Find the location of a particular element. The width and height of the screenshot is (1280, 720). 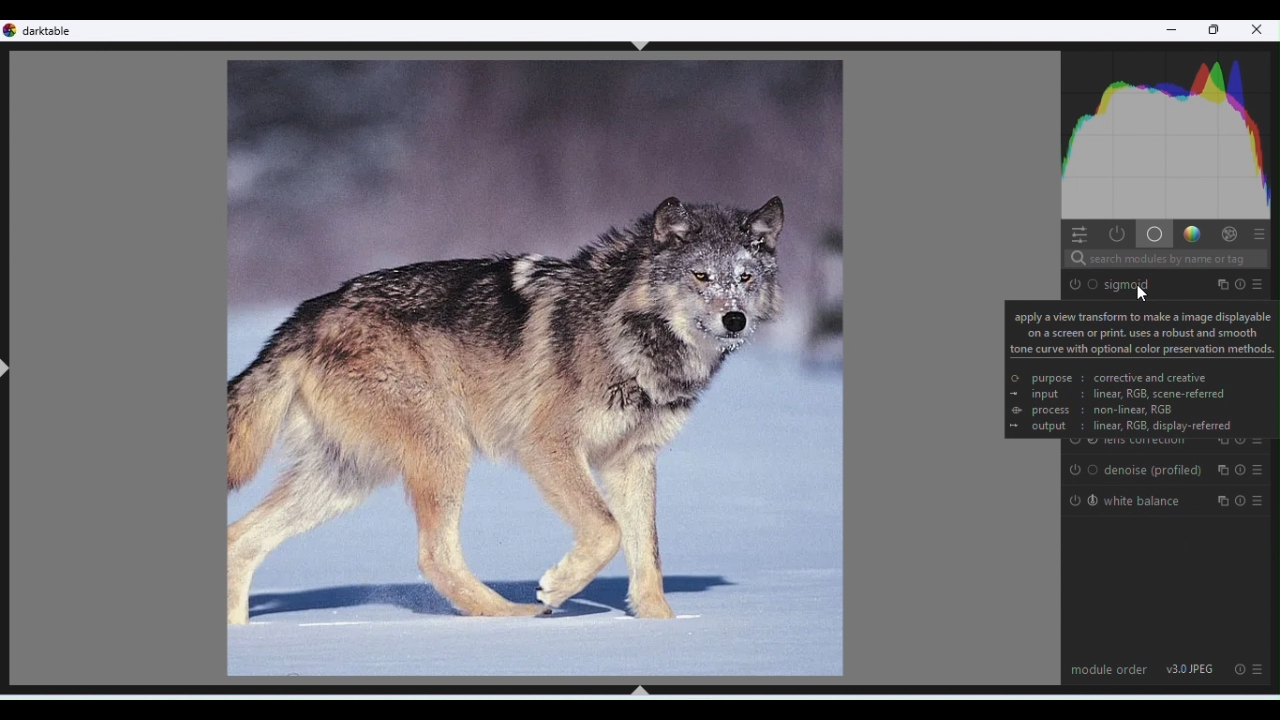

De noise is located at coordinates (1167, 470).